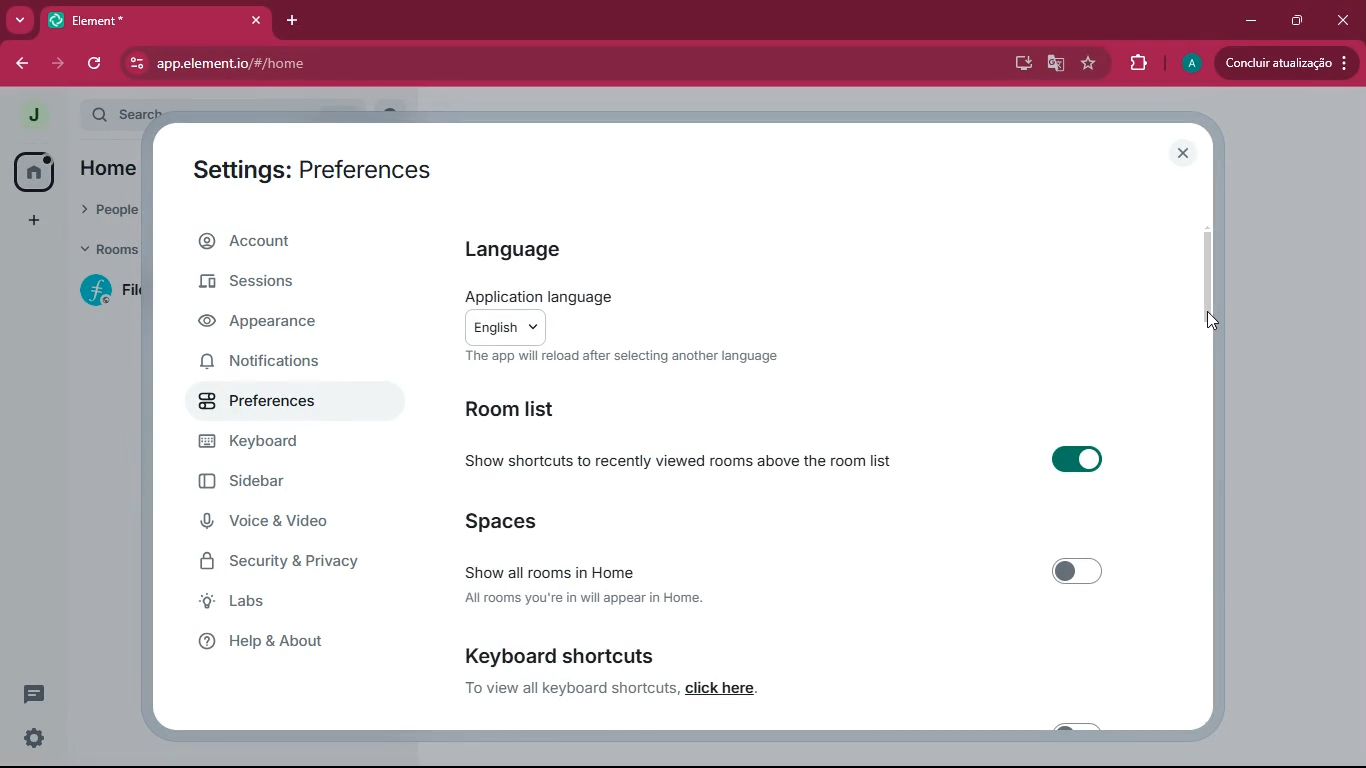  Describe the element at coordinates (34, 170) in the screenshot. I see `home` at that location.